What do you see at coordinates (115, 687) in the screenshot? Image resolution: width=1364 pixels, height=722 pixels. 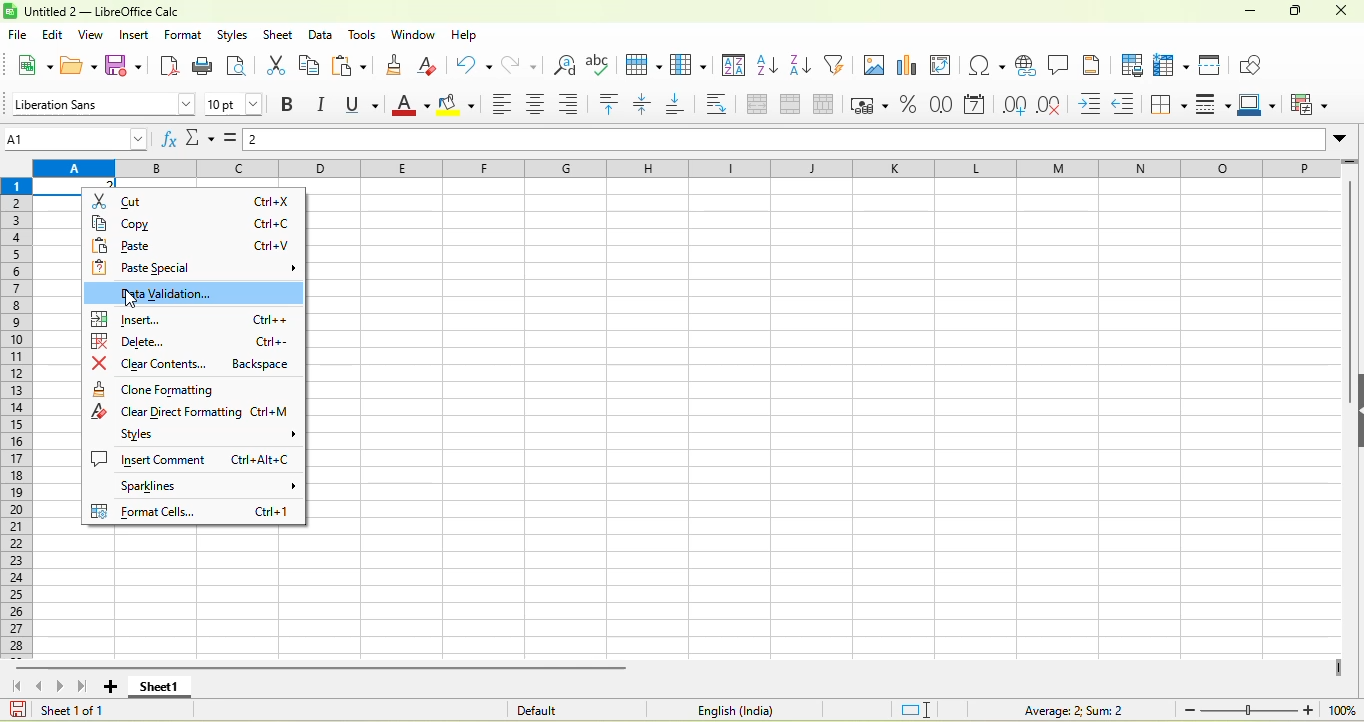 I see `add new sheet` at bounding box center [115, 687].